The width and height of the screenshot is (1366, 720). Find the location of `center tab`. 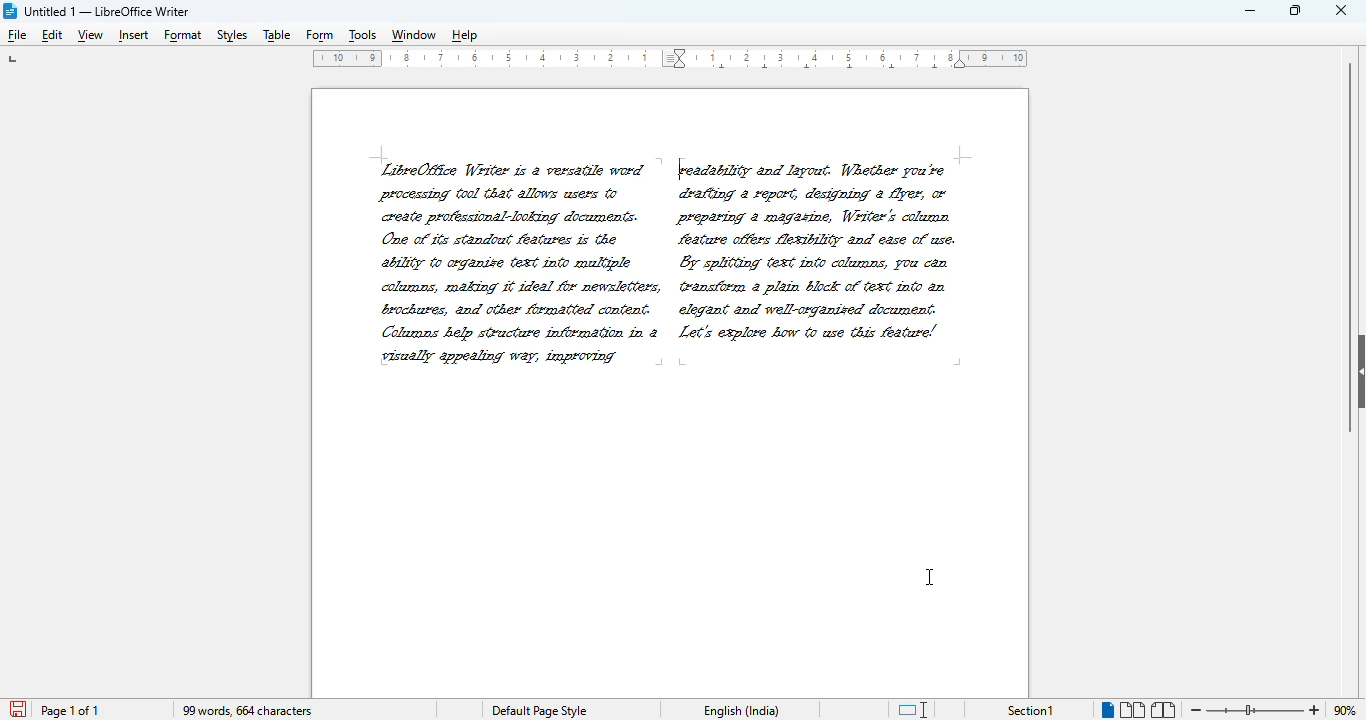

center tab is located at coordinates (893, 68).